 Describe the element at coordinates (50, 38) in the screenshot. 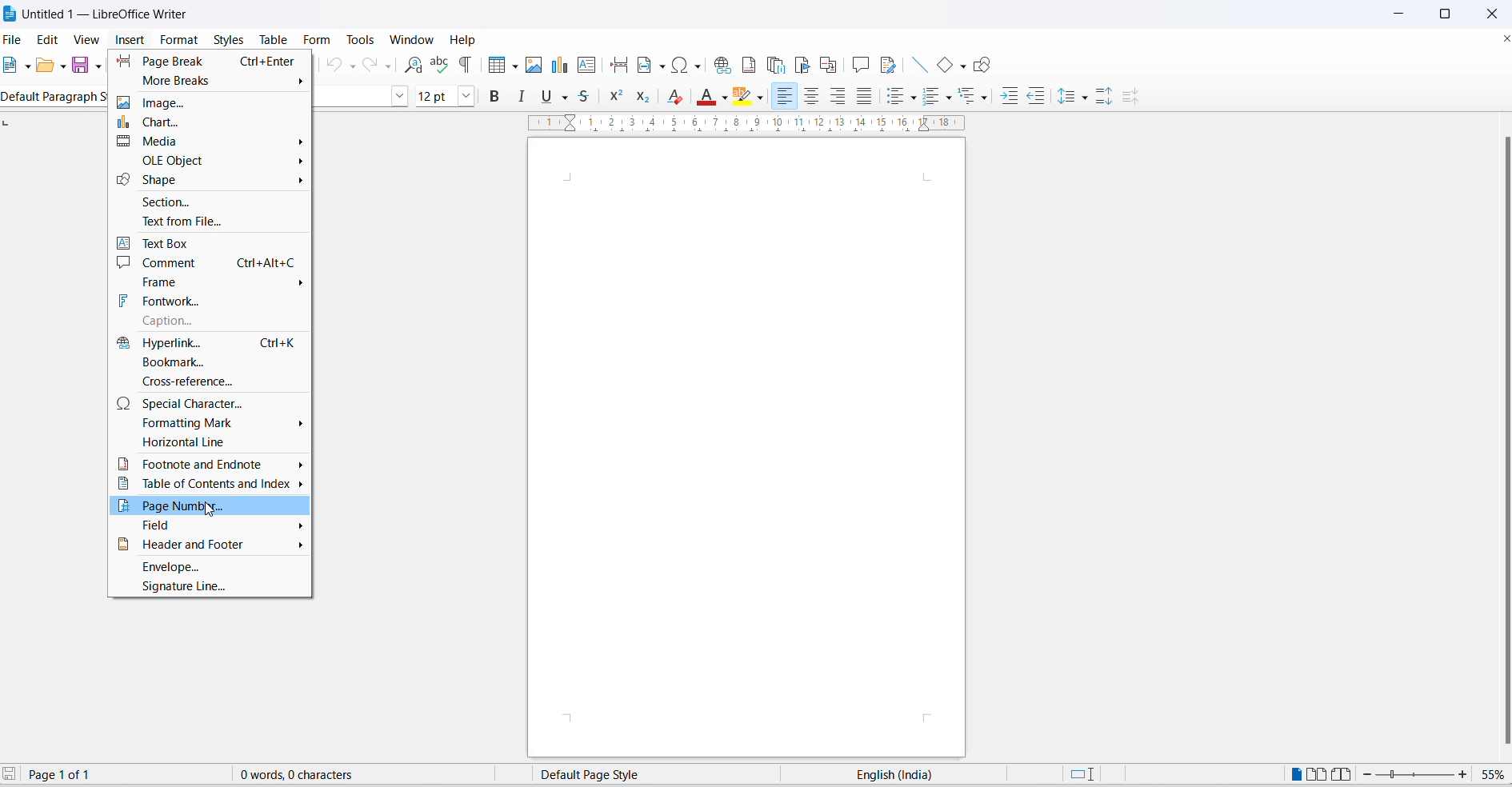

I see `edit` at that location.